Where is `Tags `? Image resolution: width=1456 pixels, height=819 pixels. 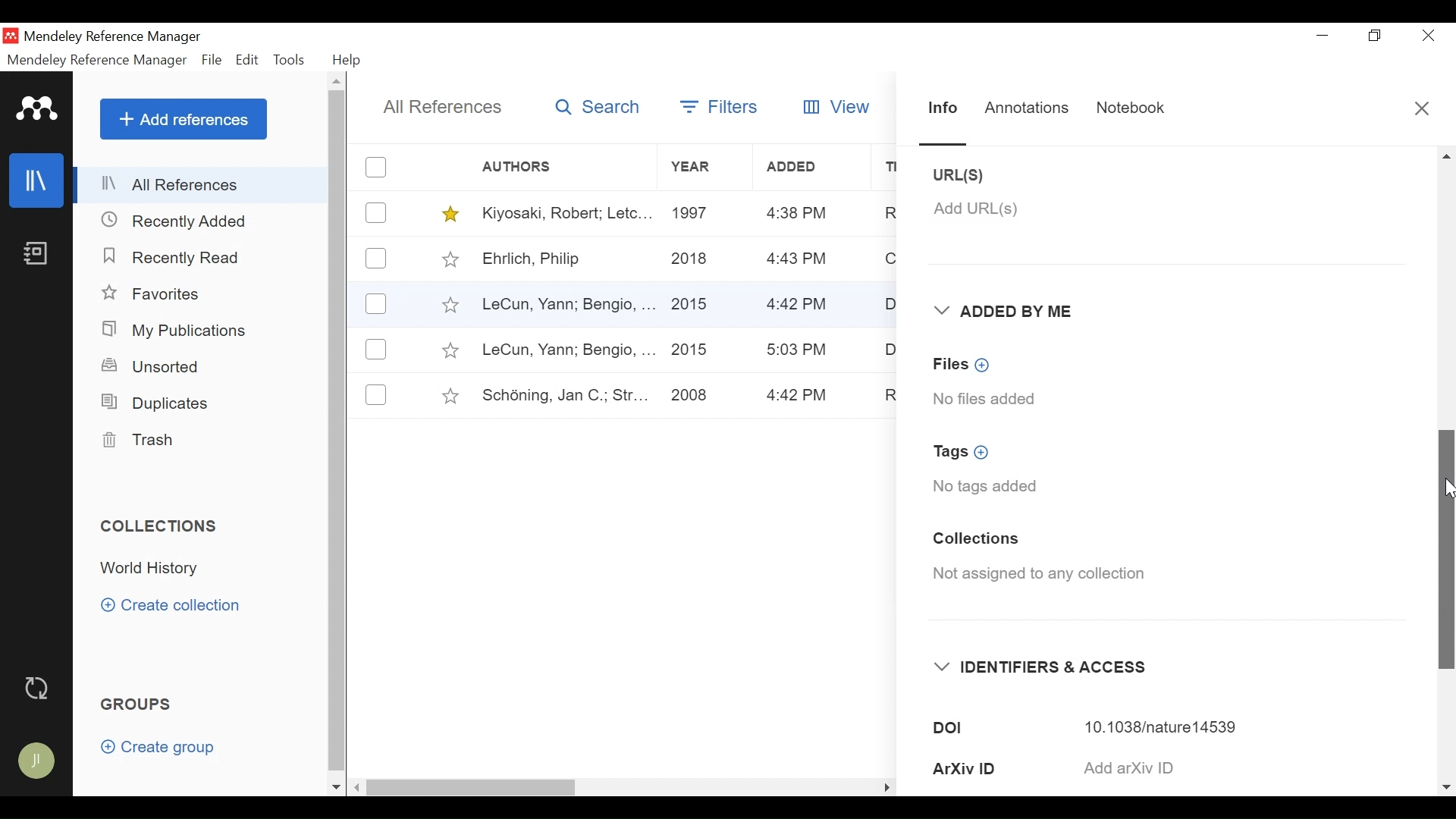 Tags  is located at coordinates (968, 453).